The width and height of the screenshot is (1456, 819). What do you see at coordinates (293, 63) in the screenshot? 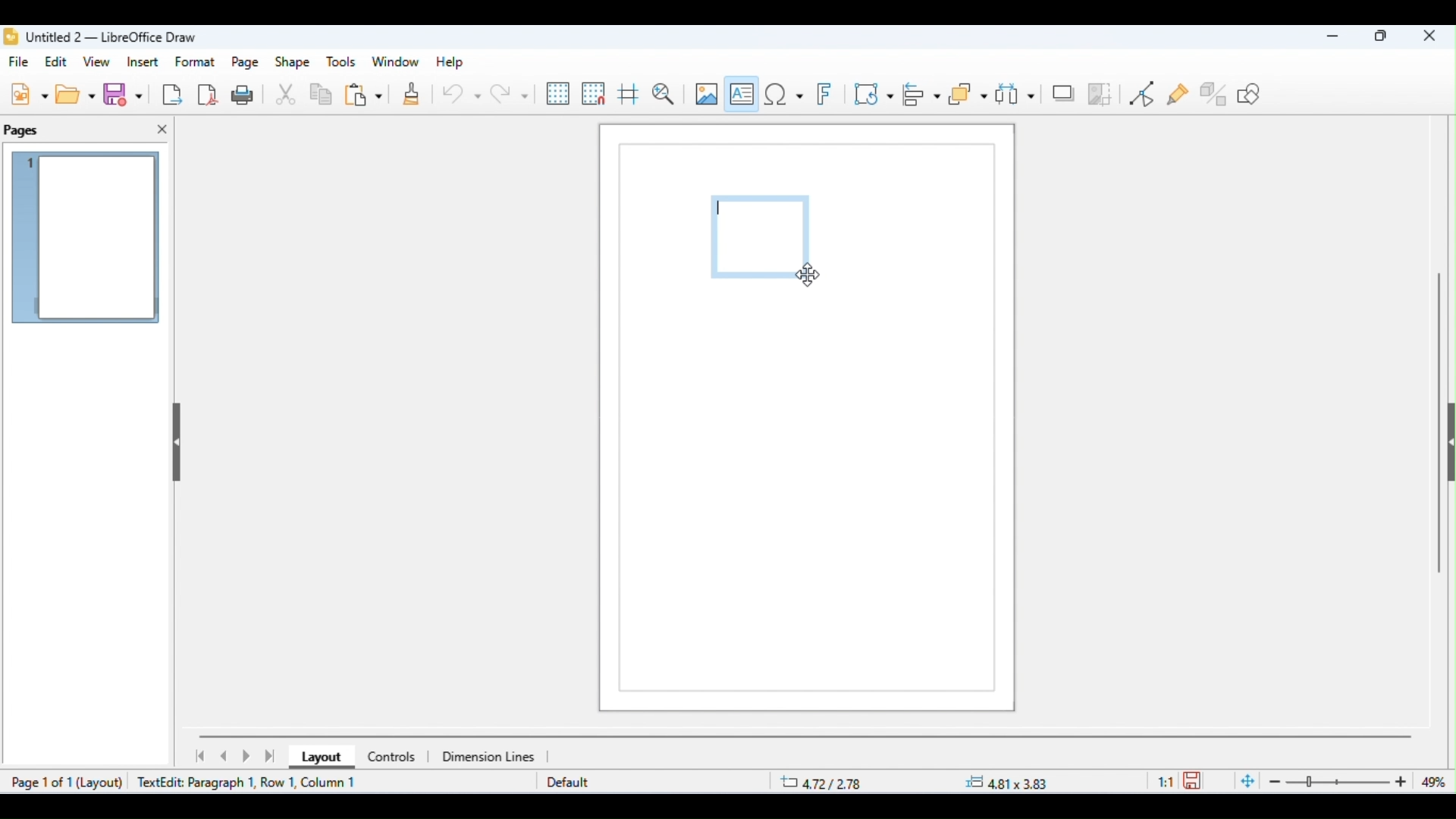
I see `shape` at bounding box center [293, 63].